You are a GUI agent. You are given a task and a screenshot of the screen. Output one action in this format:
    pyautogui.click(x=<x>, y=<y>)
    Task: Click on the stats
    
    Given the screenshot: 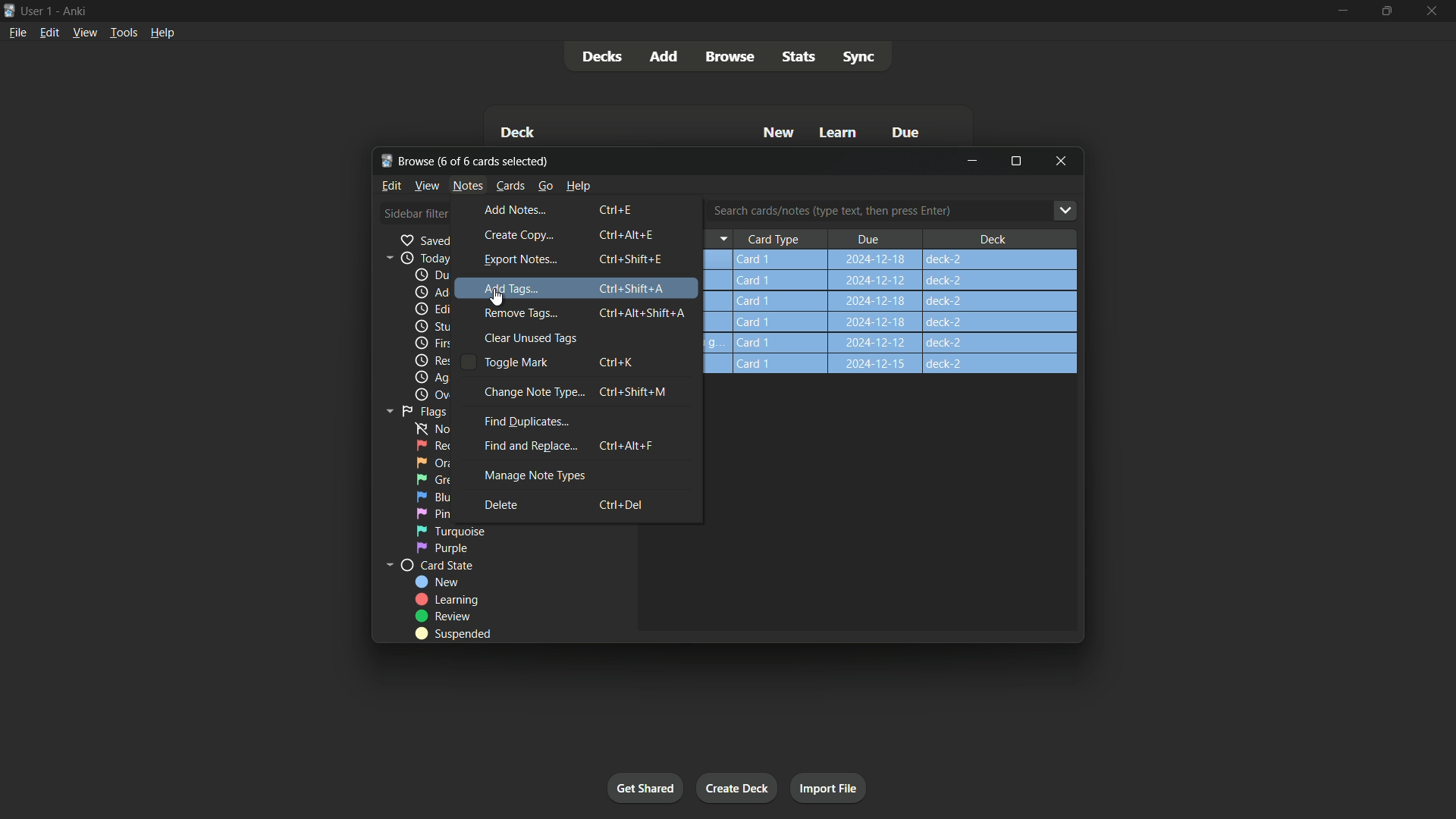 What is the action you would take?
    pyautogui.click(x=802, y=55)
    